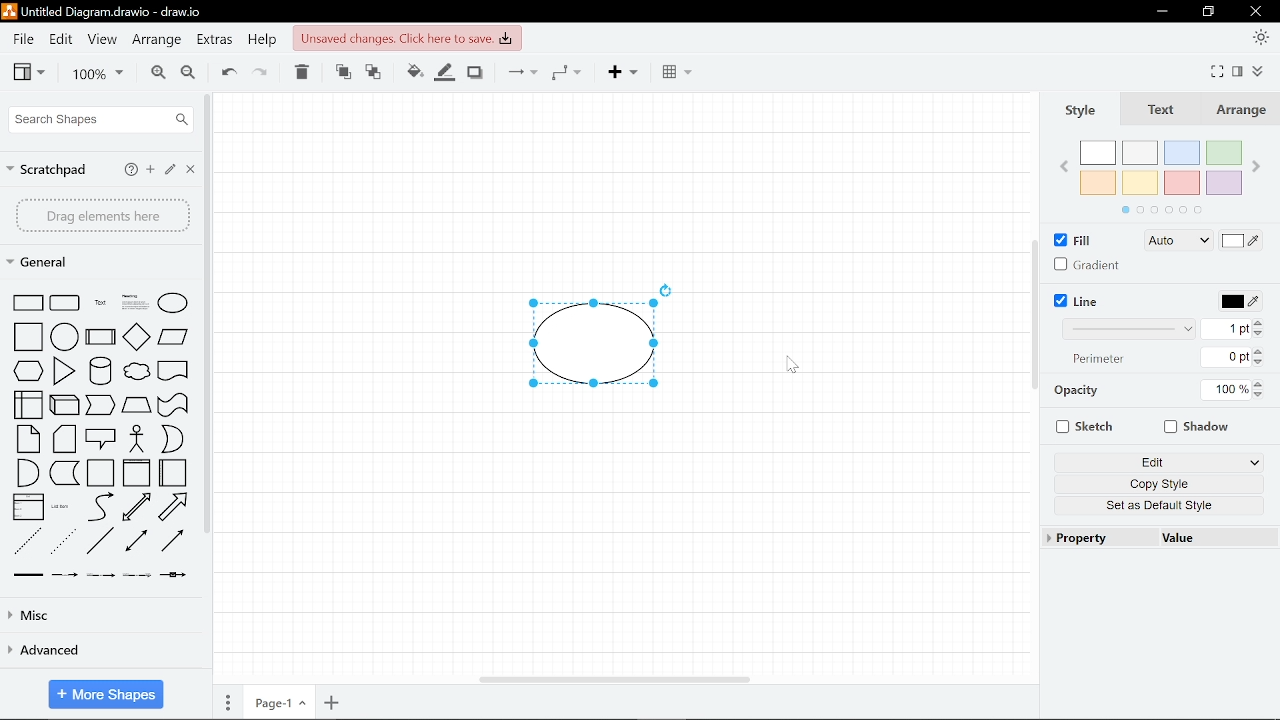 The image size is (1280, 720). I want to click on diamond, so click(136, 336).